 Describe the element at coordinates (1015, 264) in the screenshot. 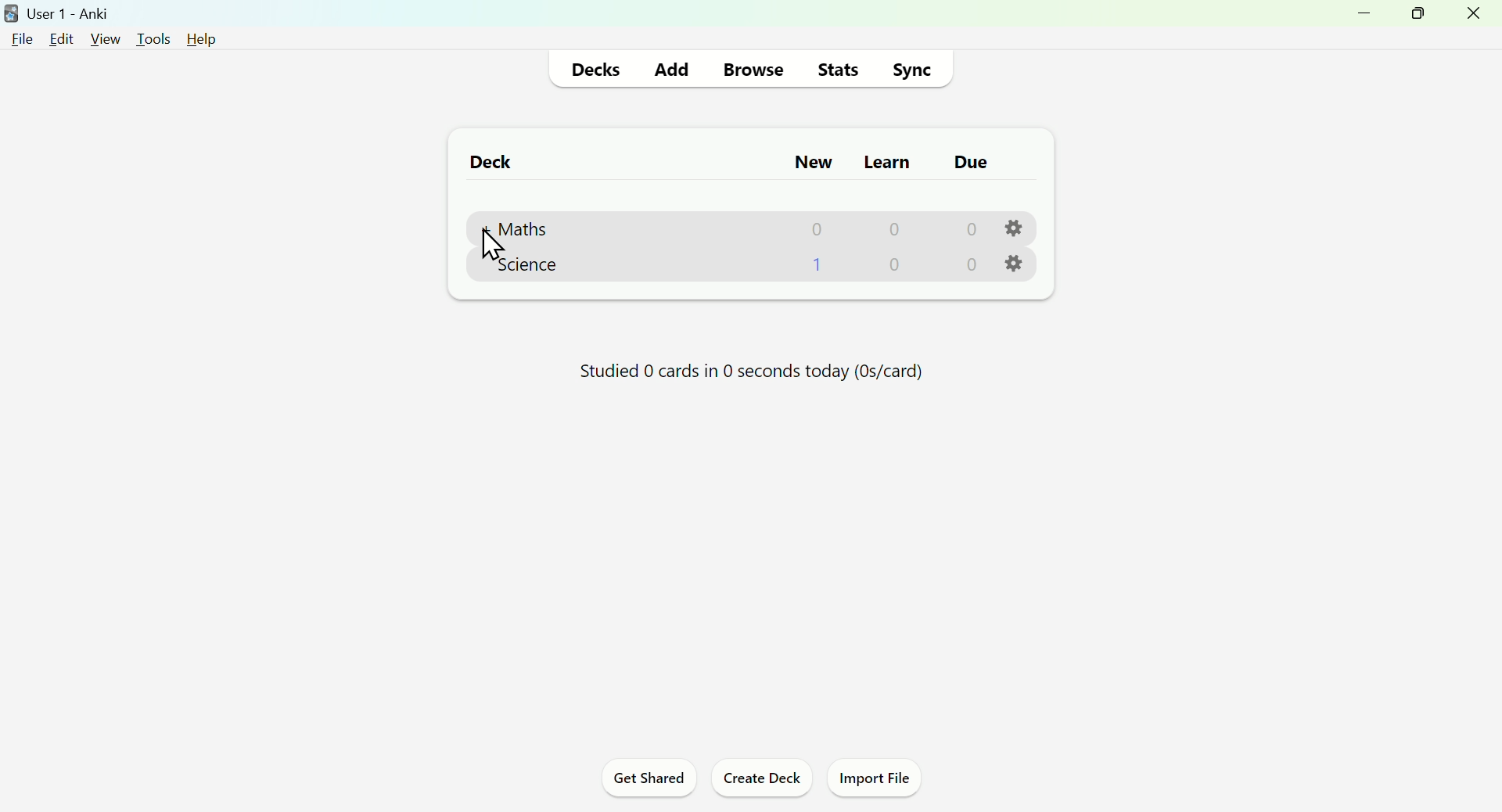

I see `Settings` at that location.